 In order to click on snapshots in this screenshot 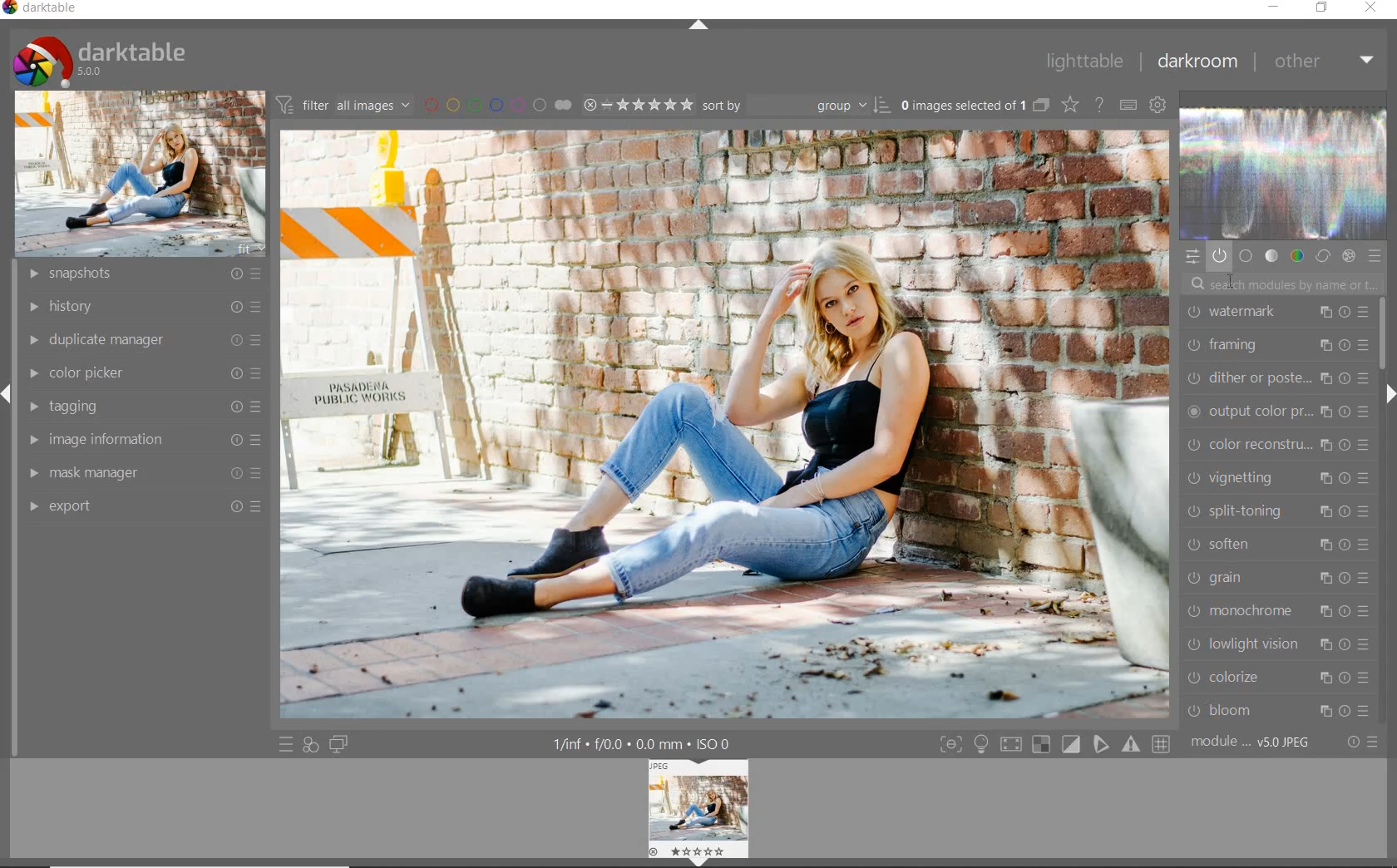, I will do `click(143, 274)`.